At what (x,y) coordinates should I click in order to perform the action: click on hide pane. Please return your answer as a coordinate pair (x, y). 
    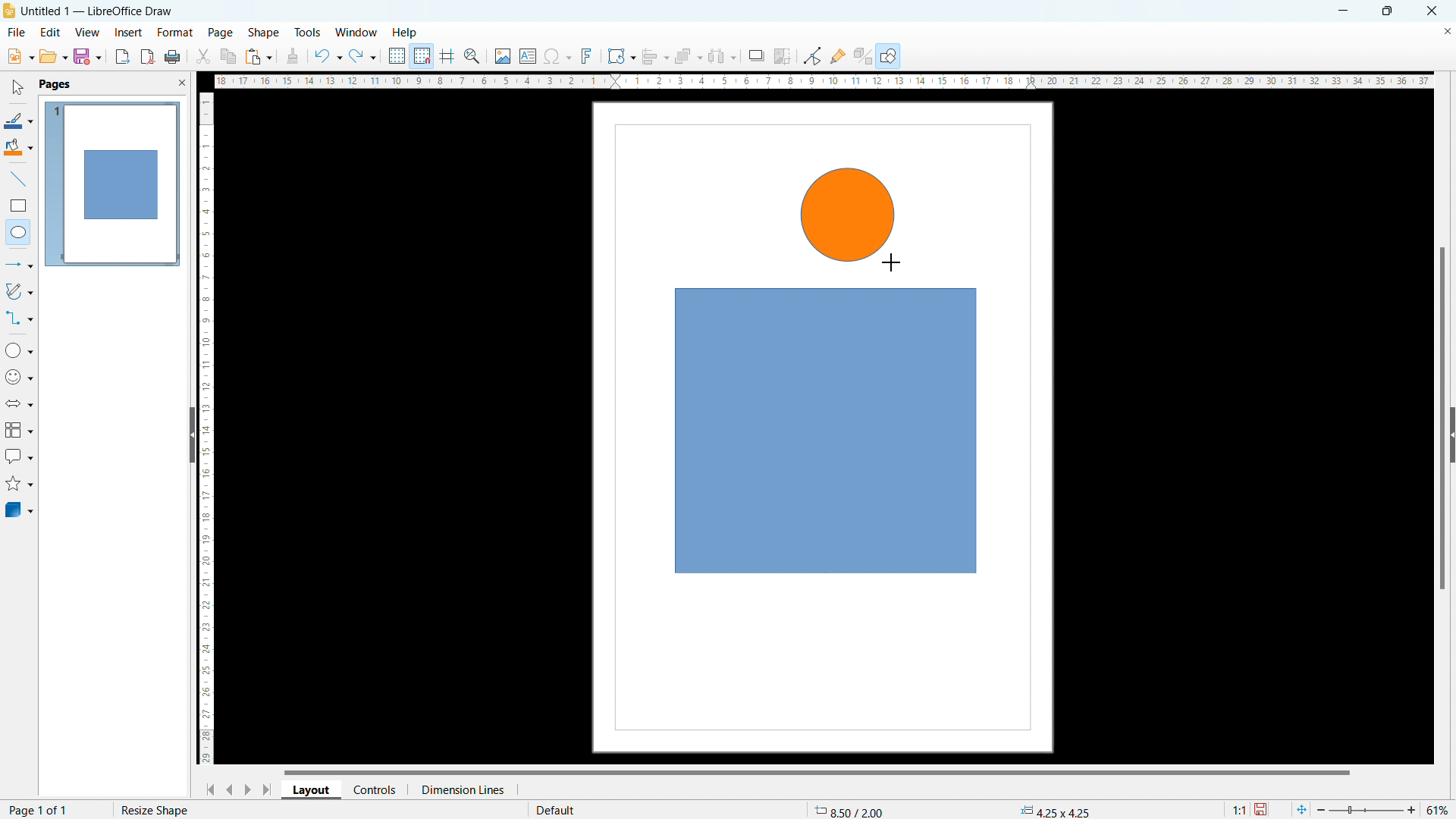
    Looking at the image, I should click on (191, 435).